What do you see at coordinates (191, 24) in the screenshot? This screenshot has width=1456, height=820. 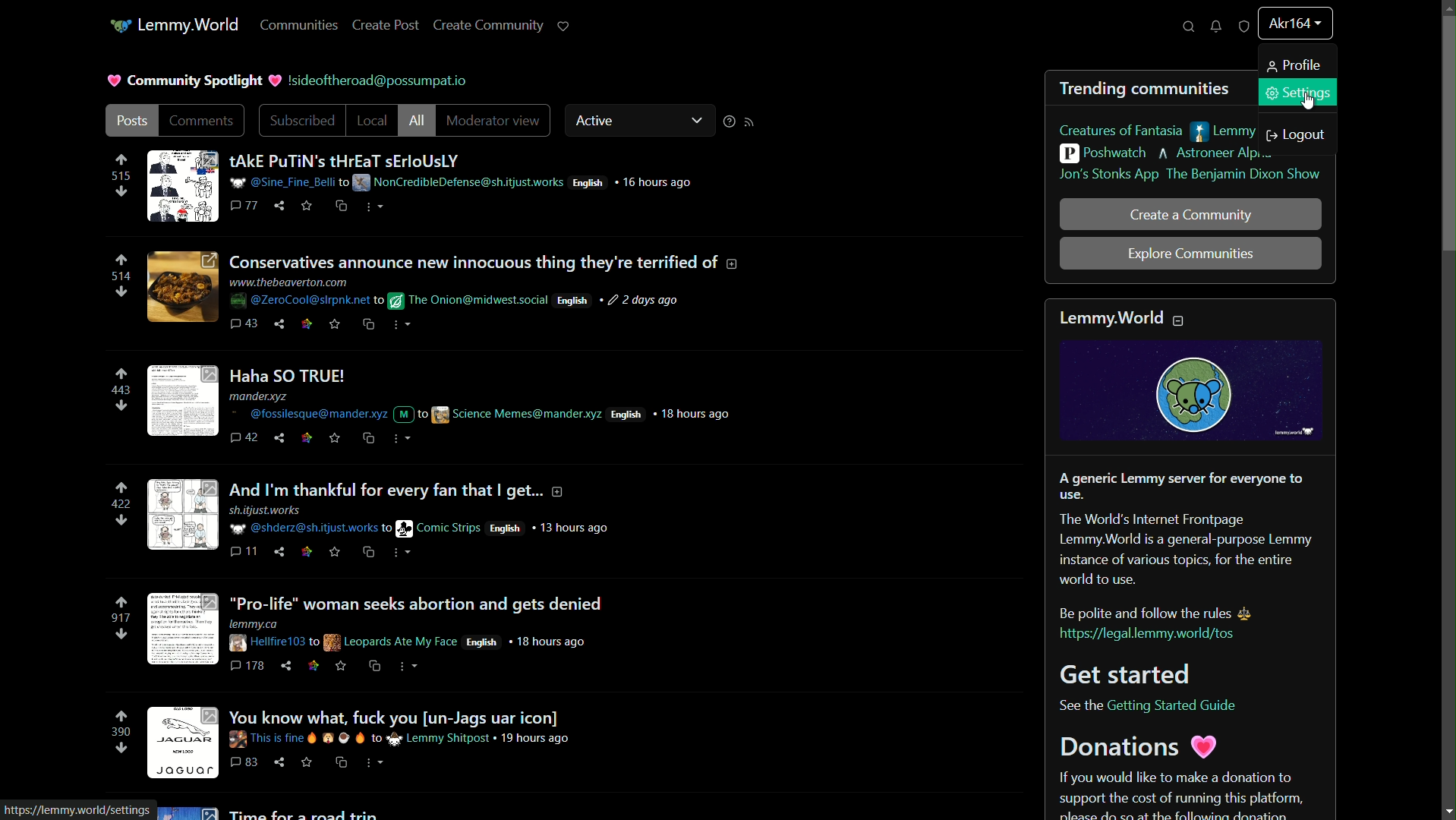 I see `server name` at bounding box center [191, 24].